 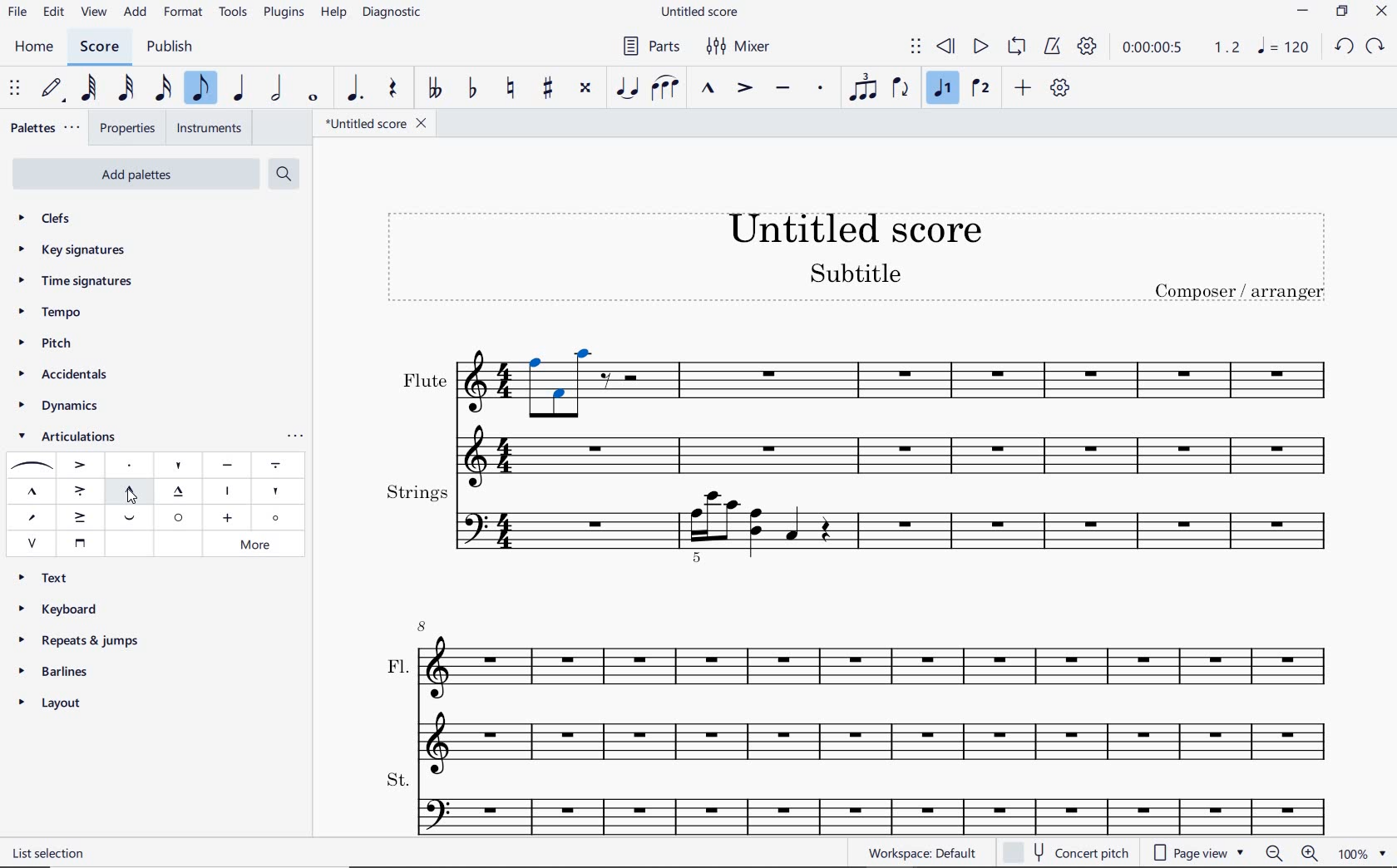 What do you see at coordinates (1342, 11) in the screenshot?
I see `restore down` at bounding box center [1342, 11].